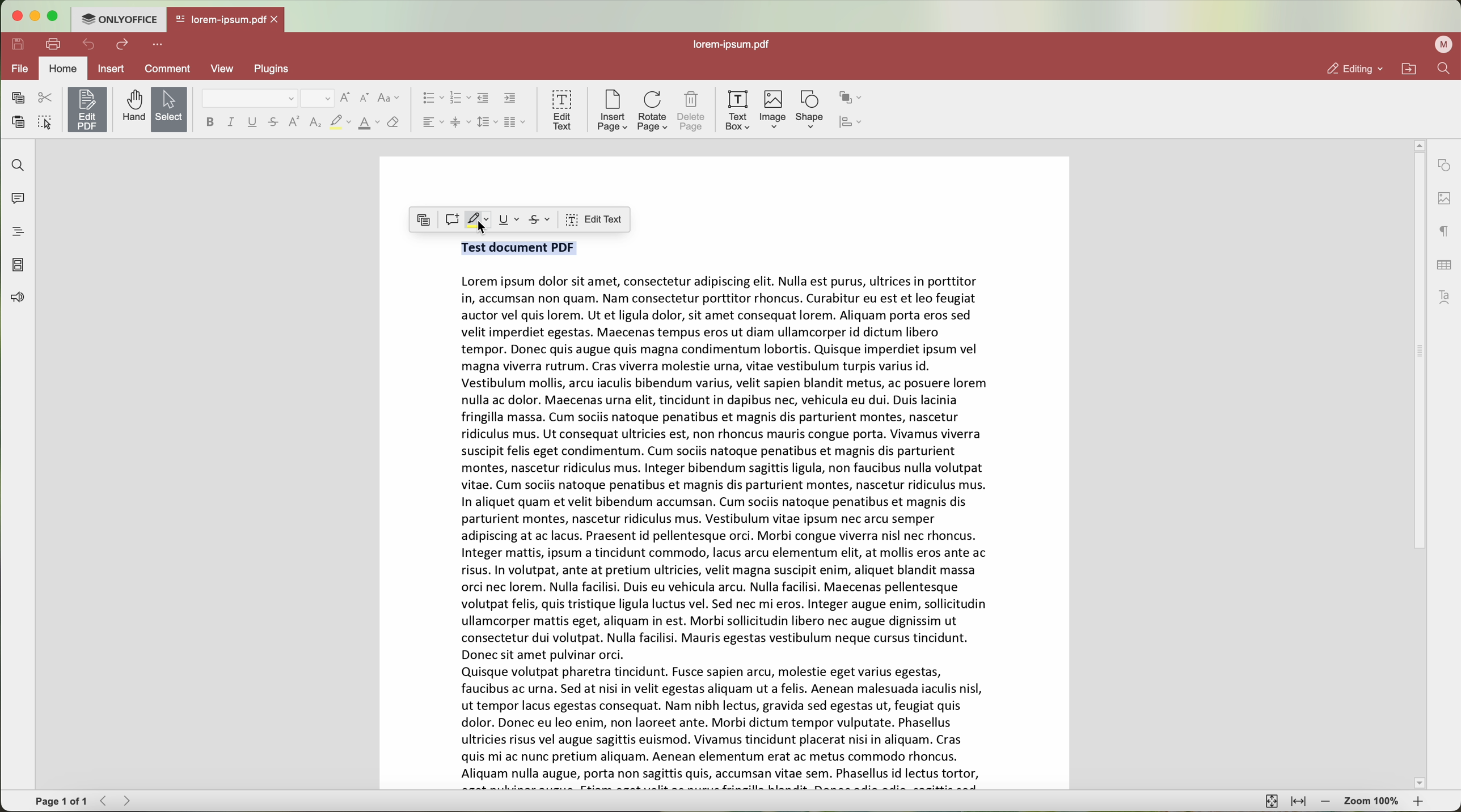 The width and height of the screenshot is (1461, 812). Describe the element at coordinates (593, 219) in the screenshot. I see `edit text` at that location.